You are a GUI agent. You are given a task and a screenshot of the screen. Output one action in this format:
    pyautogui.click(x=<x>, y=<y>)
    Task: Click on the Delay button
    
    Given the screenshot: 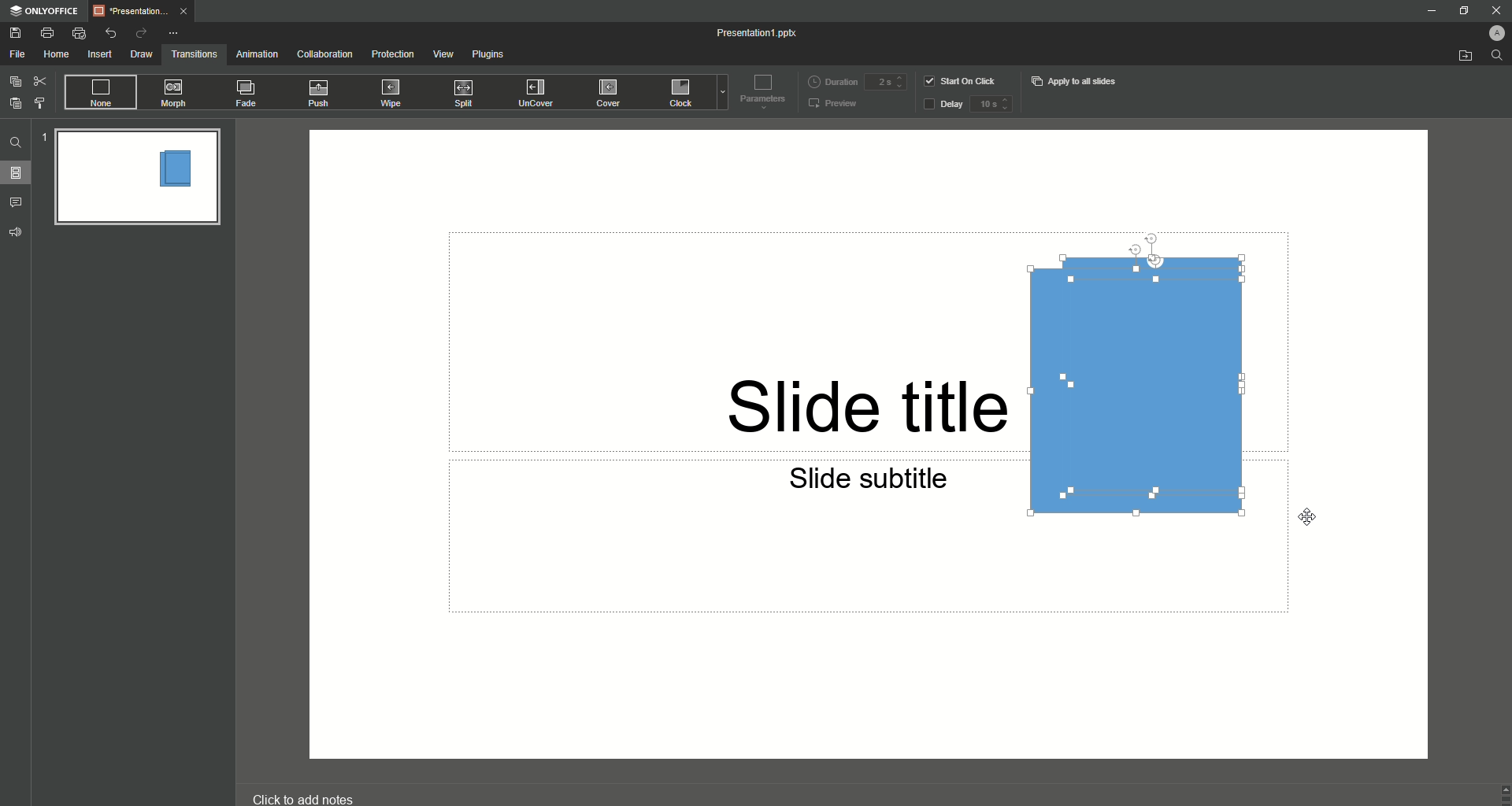 What is the action you would take?
    pyautogui.click(x=943, y=105)
    